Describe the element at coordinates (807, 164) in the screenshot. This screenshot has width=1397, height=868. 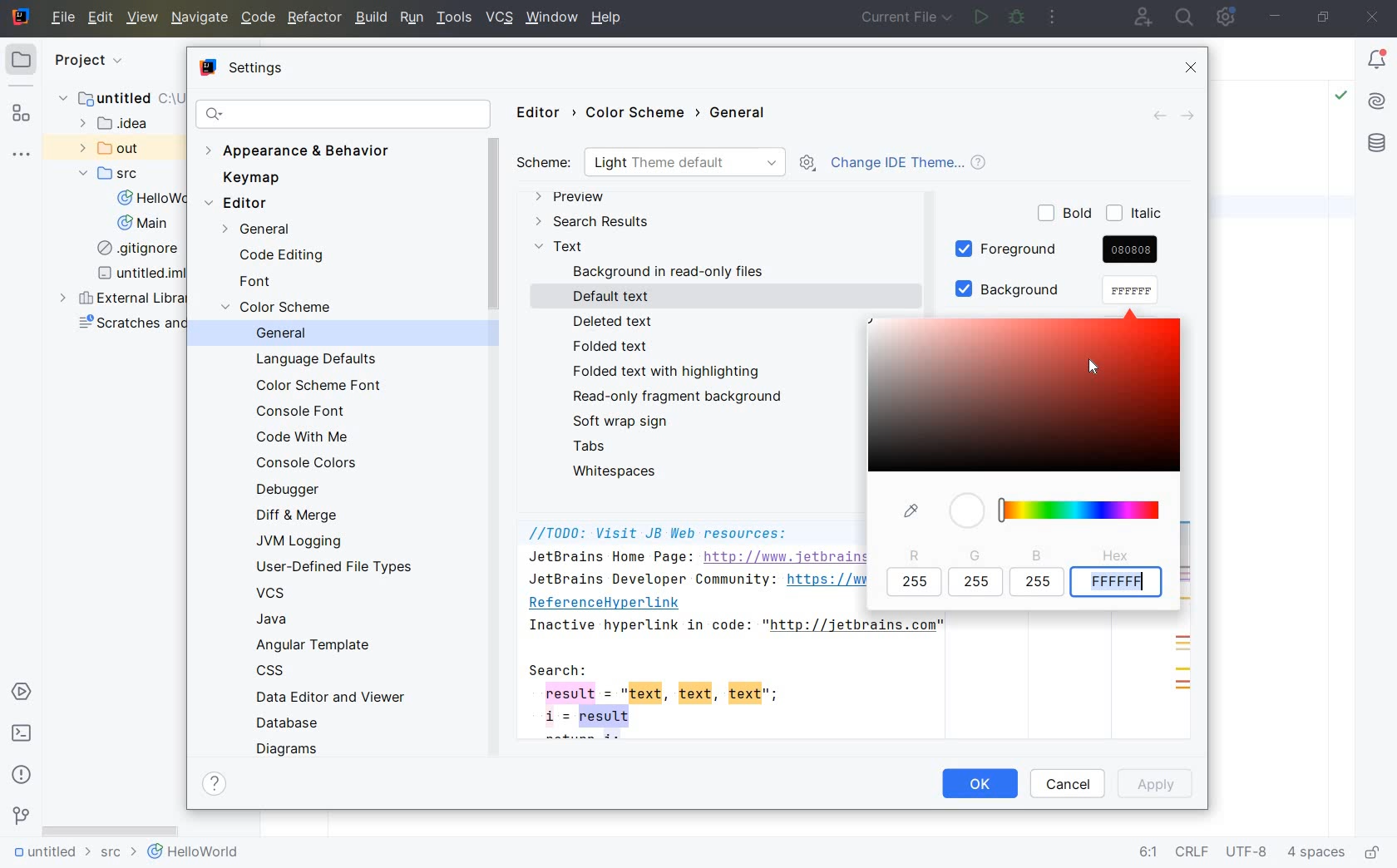
I see `SHOW SCHEME ACTIONS` at that location.